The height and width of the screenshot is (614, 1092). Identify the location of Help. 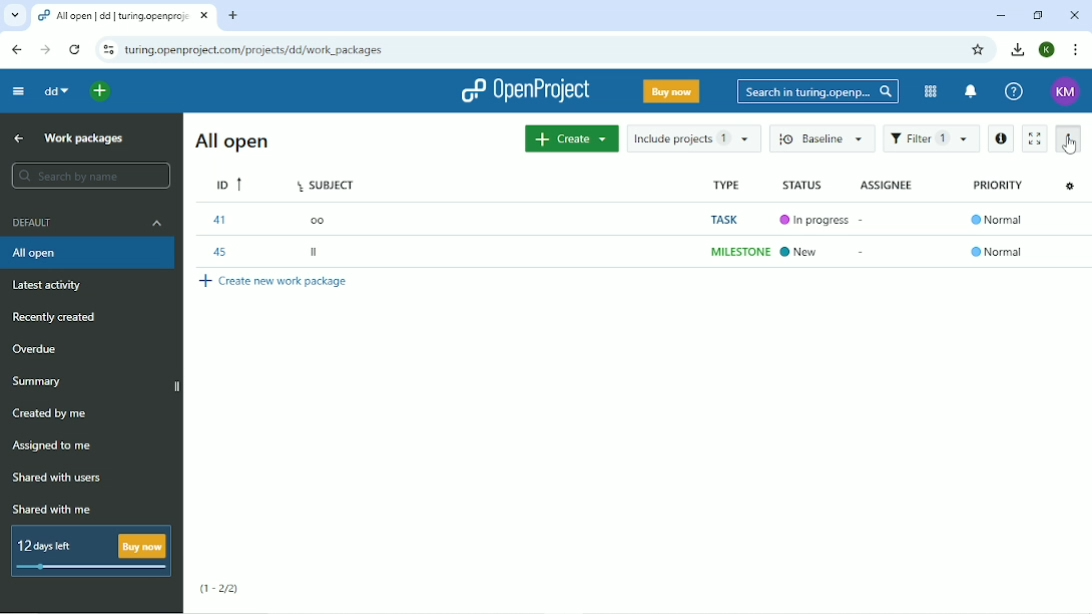
(1013, 92).